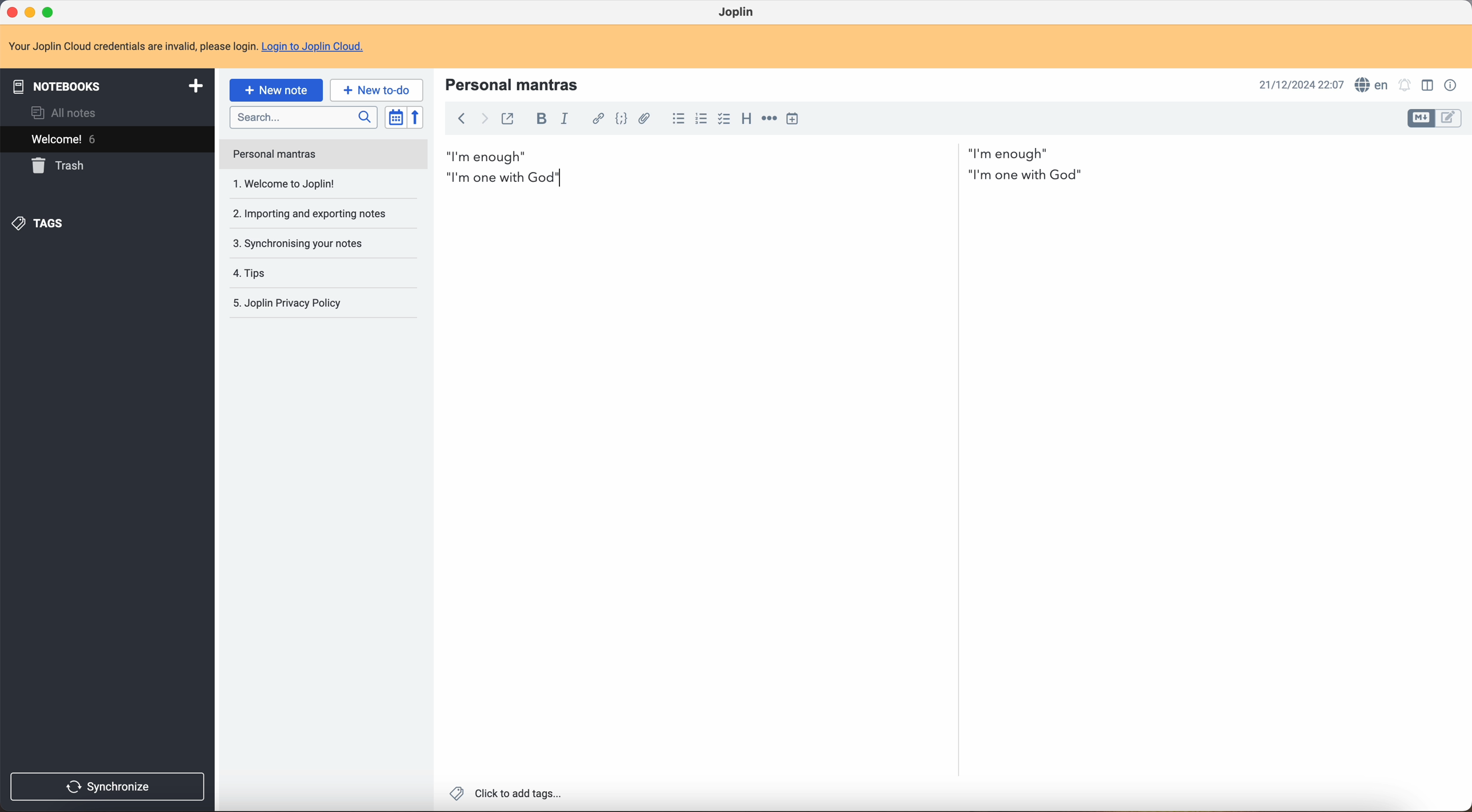 The image size is (1472, 812). I want to click on bold, so click(543, 118).